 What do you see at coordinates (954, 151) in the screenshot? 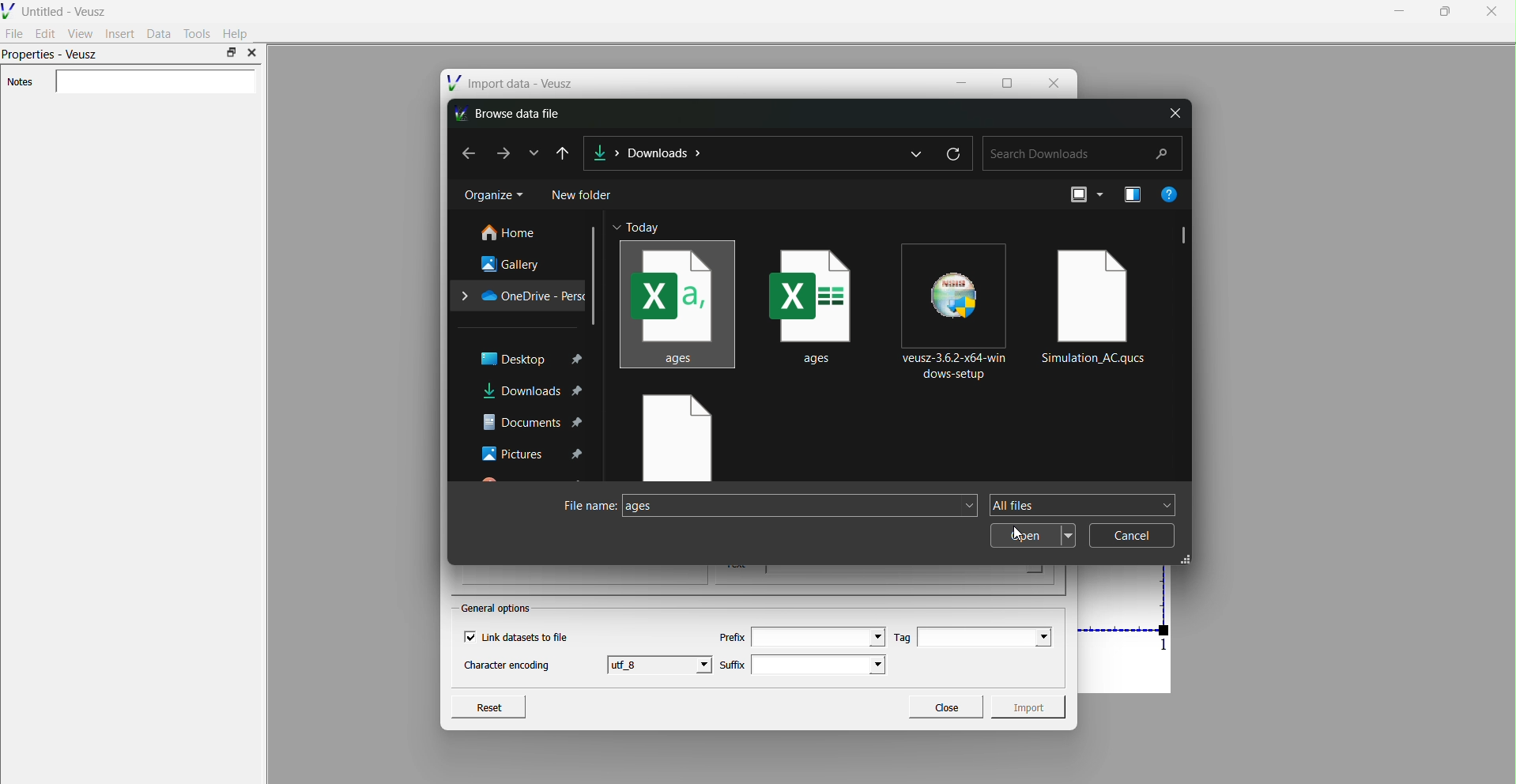
I see `refresh` at bounding box center [954, 151].